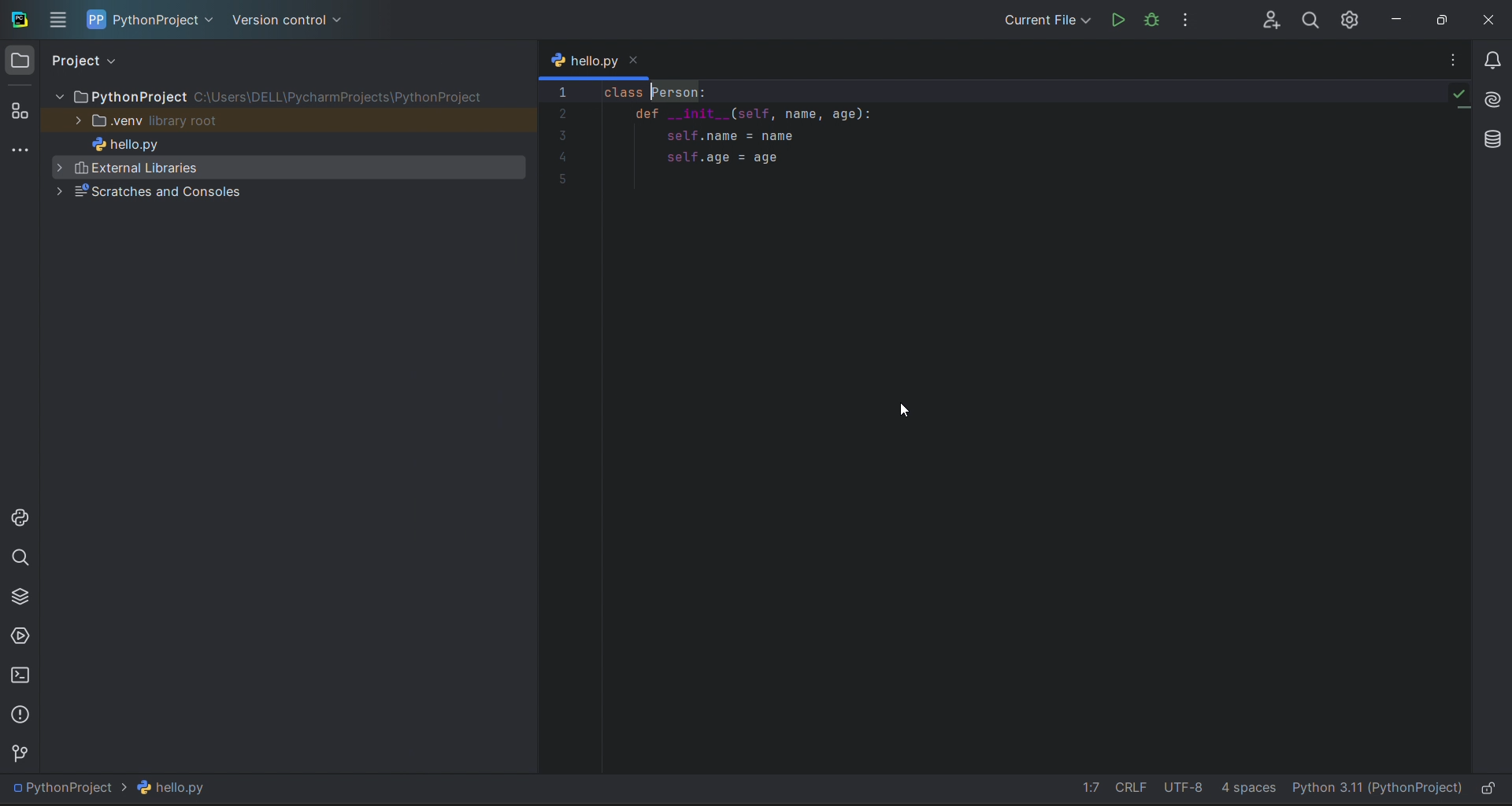 This screenshot has width=1512, height=806. What do you see at coordinates (56, 20) in the screenshot?
I see `menu` at bounding box center [56, 20].